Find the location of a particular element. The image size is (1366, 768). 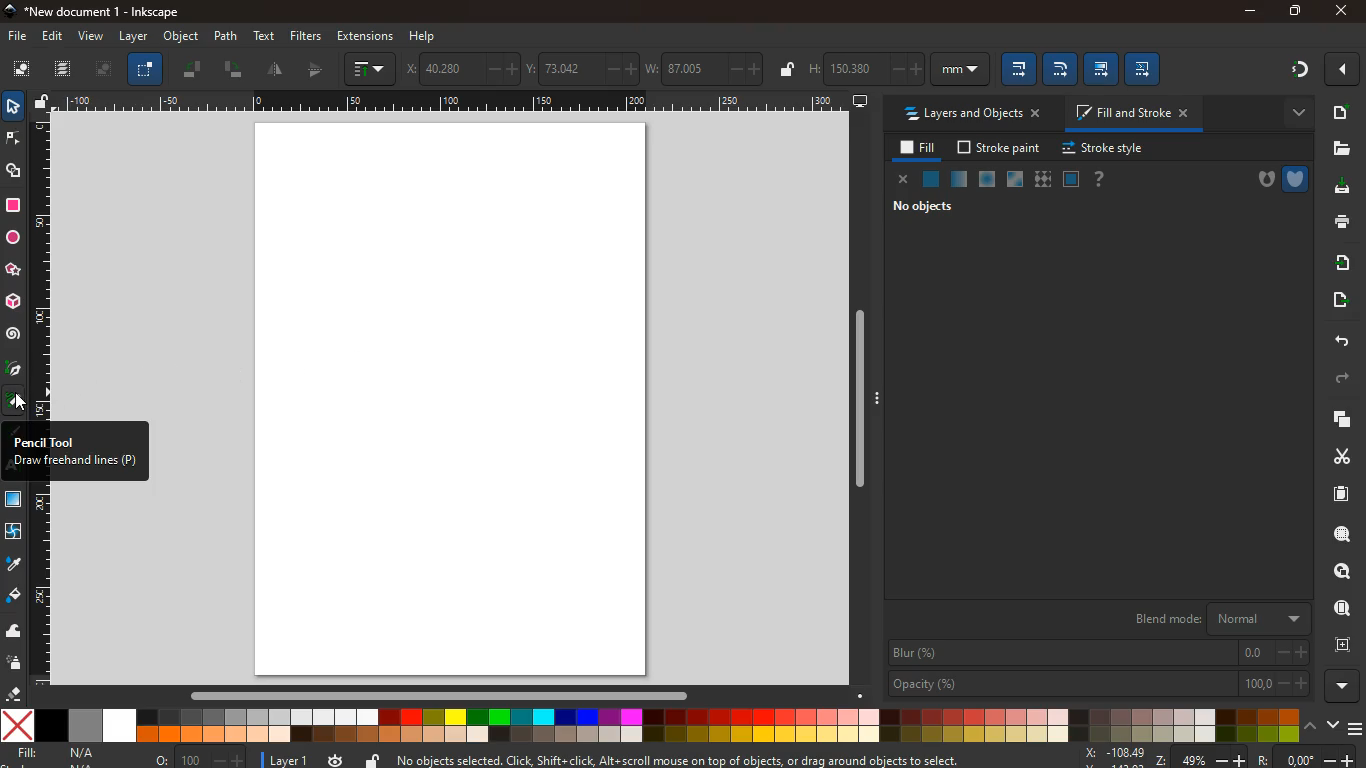

forward is located at coordinates (1343, 381).